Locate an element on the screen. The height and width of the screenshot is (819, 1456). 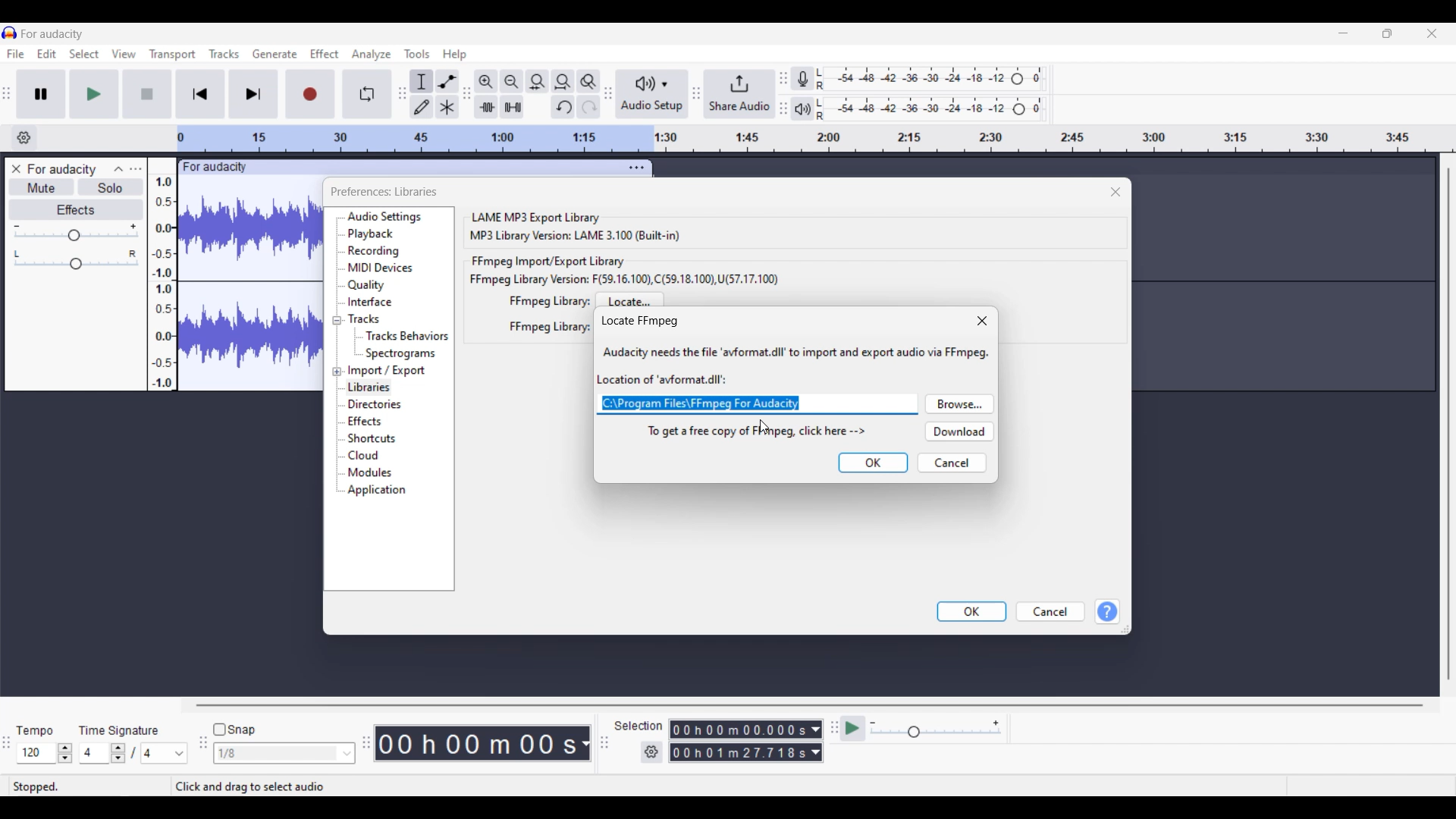
Fit selection to width is located at coordinates (538, 81).